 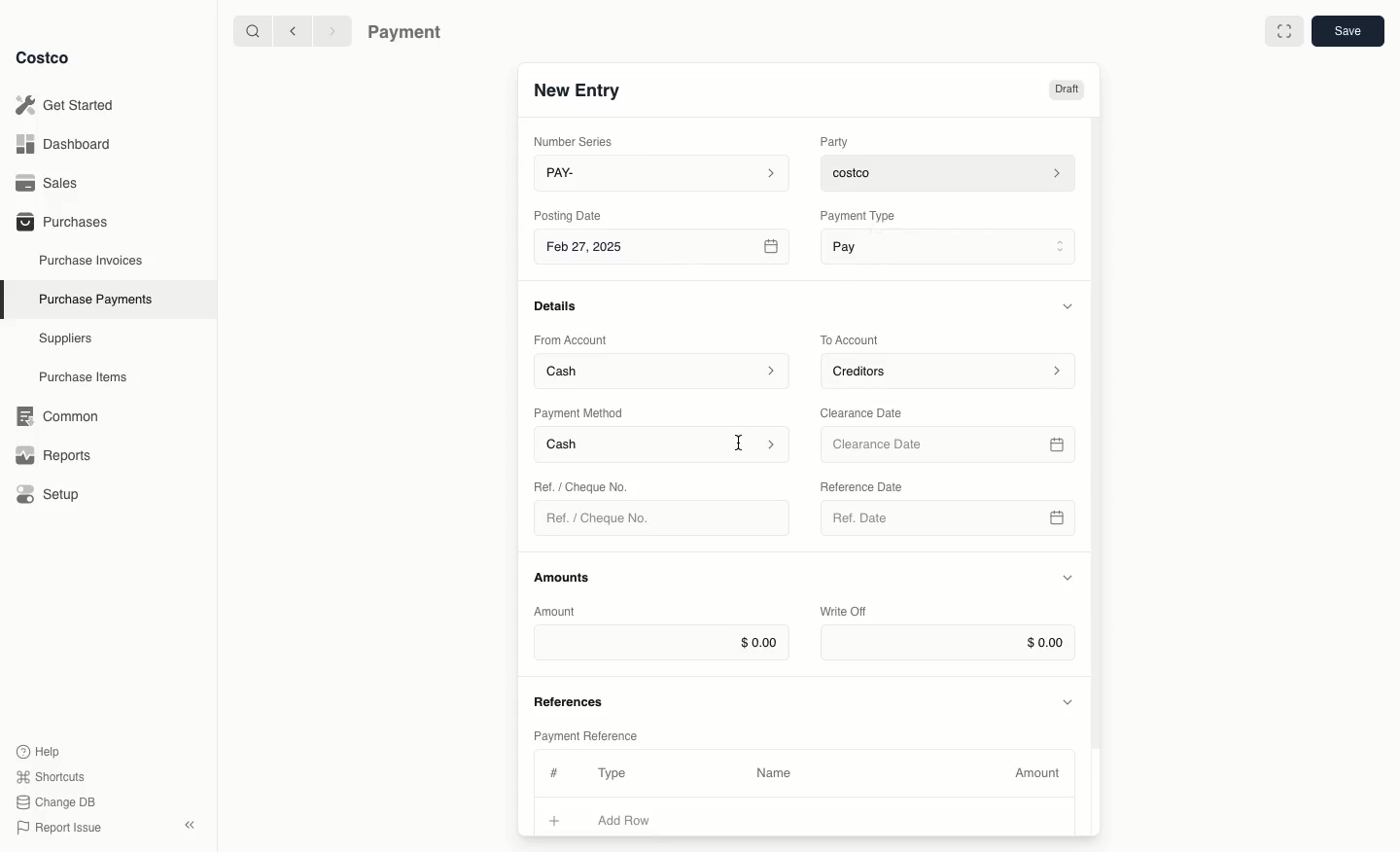 What do you see at coordinates (564, 577) in the screenshot?
I see `Amounts` at bounding box center [564, 577].